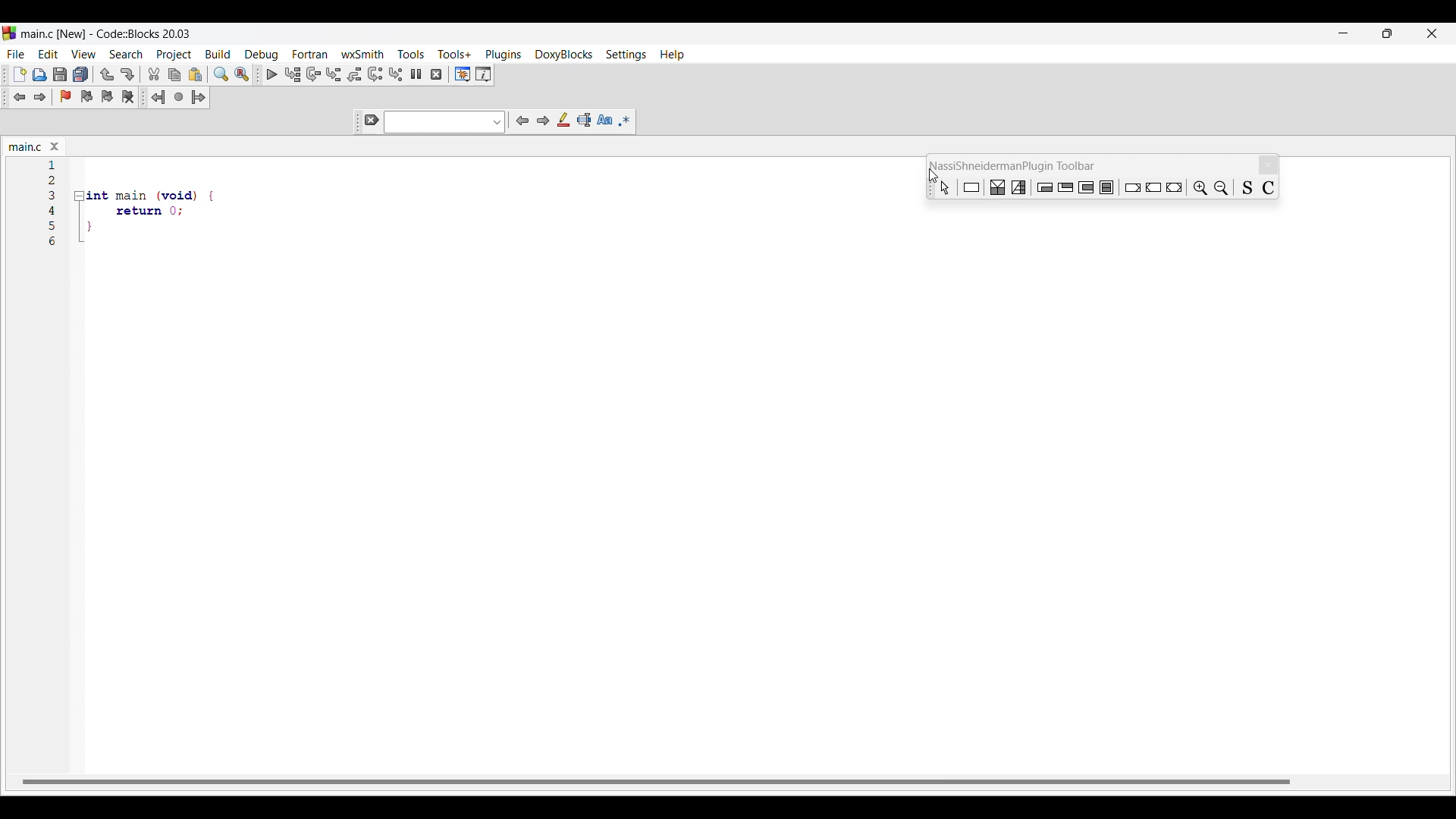 Image resolution: width=1456 pixels, height=819 pixels. I want to click on , so click(148, 191).